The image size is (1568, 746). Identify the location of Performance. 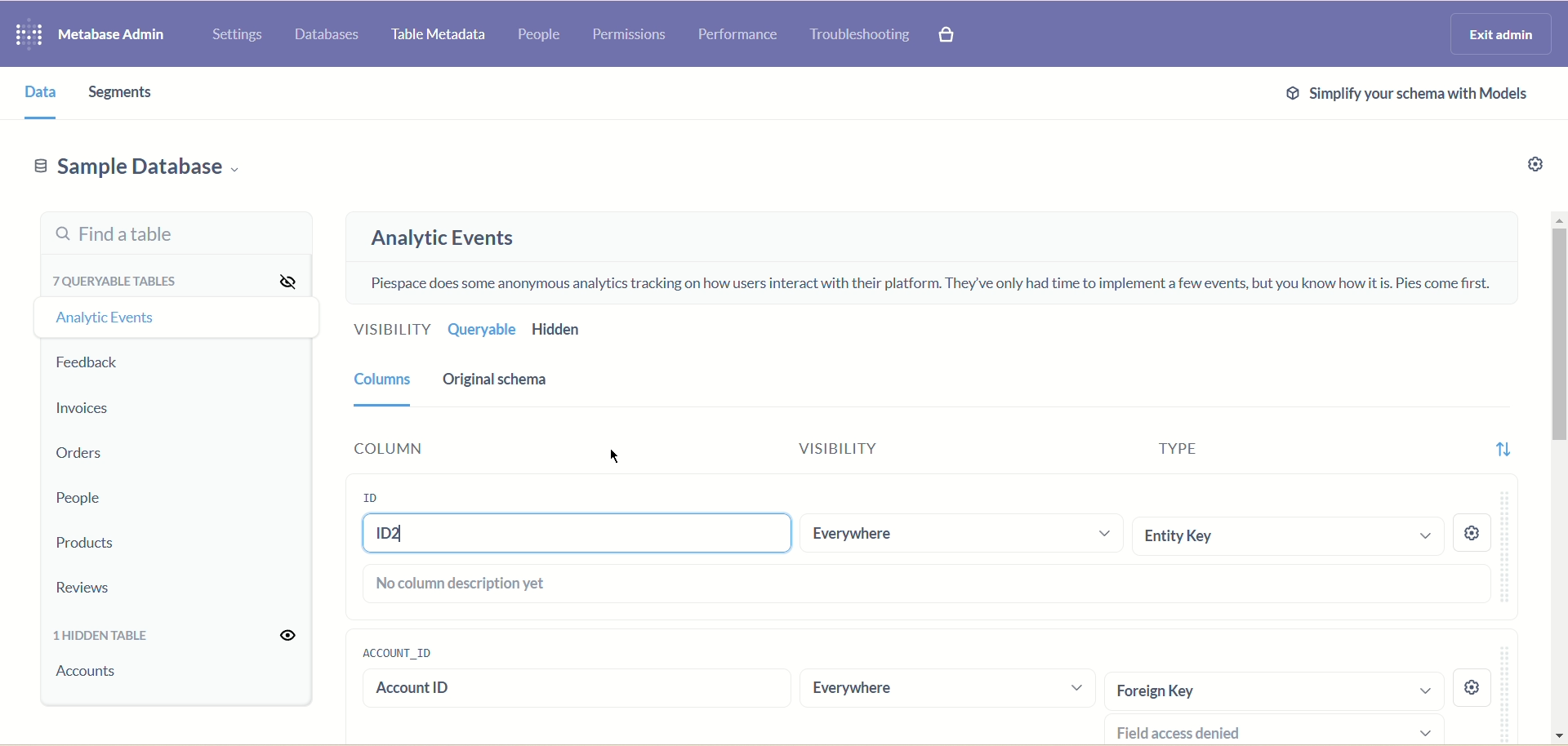
(741, 39).